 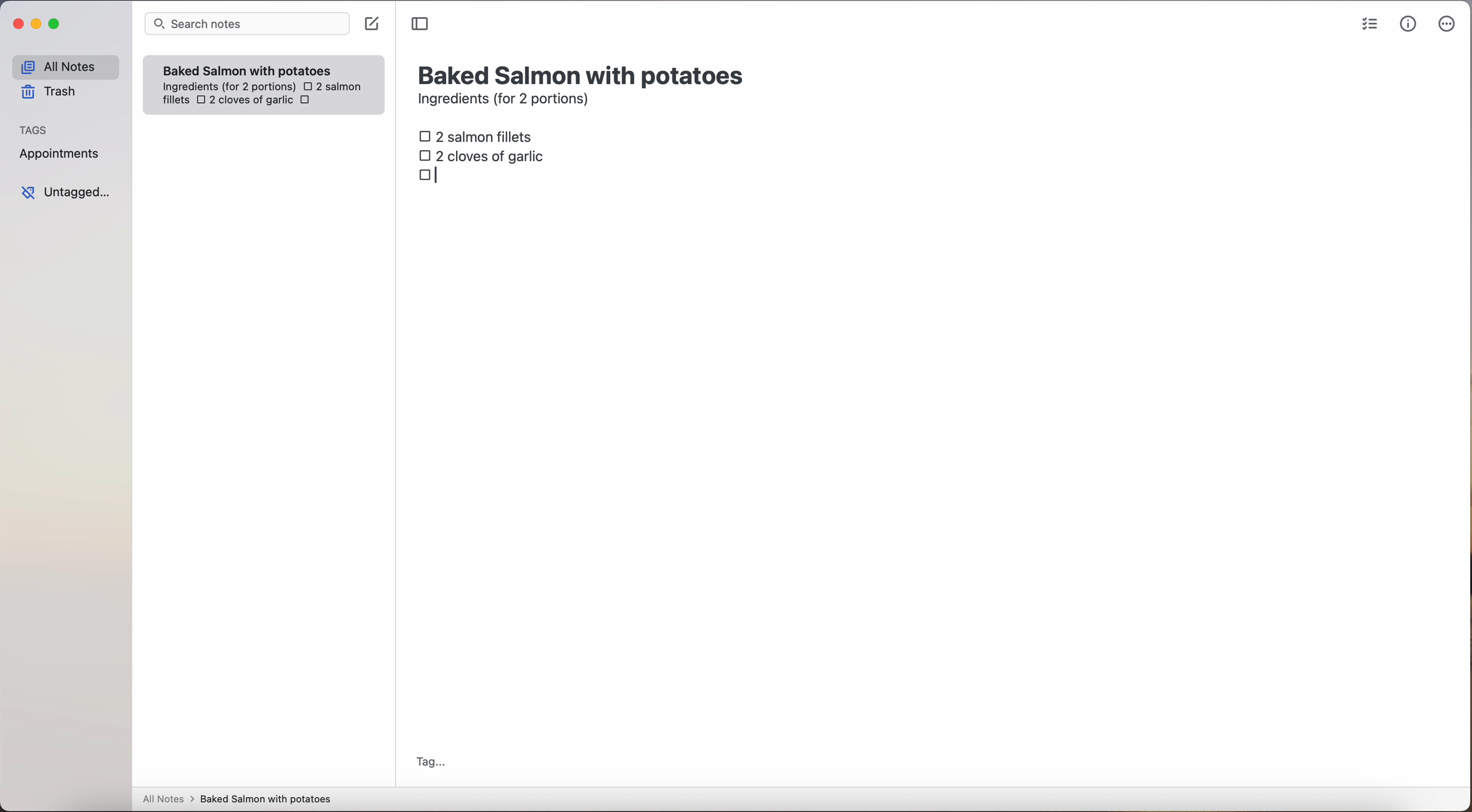 I want to click on maximize, so click(x=56, y=23).